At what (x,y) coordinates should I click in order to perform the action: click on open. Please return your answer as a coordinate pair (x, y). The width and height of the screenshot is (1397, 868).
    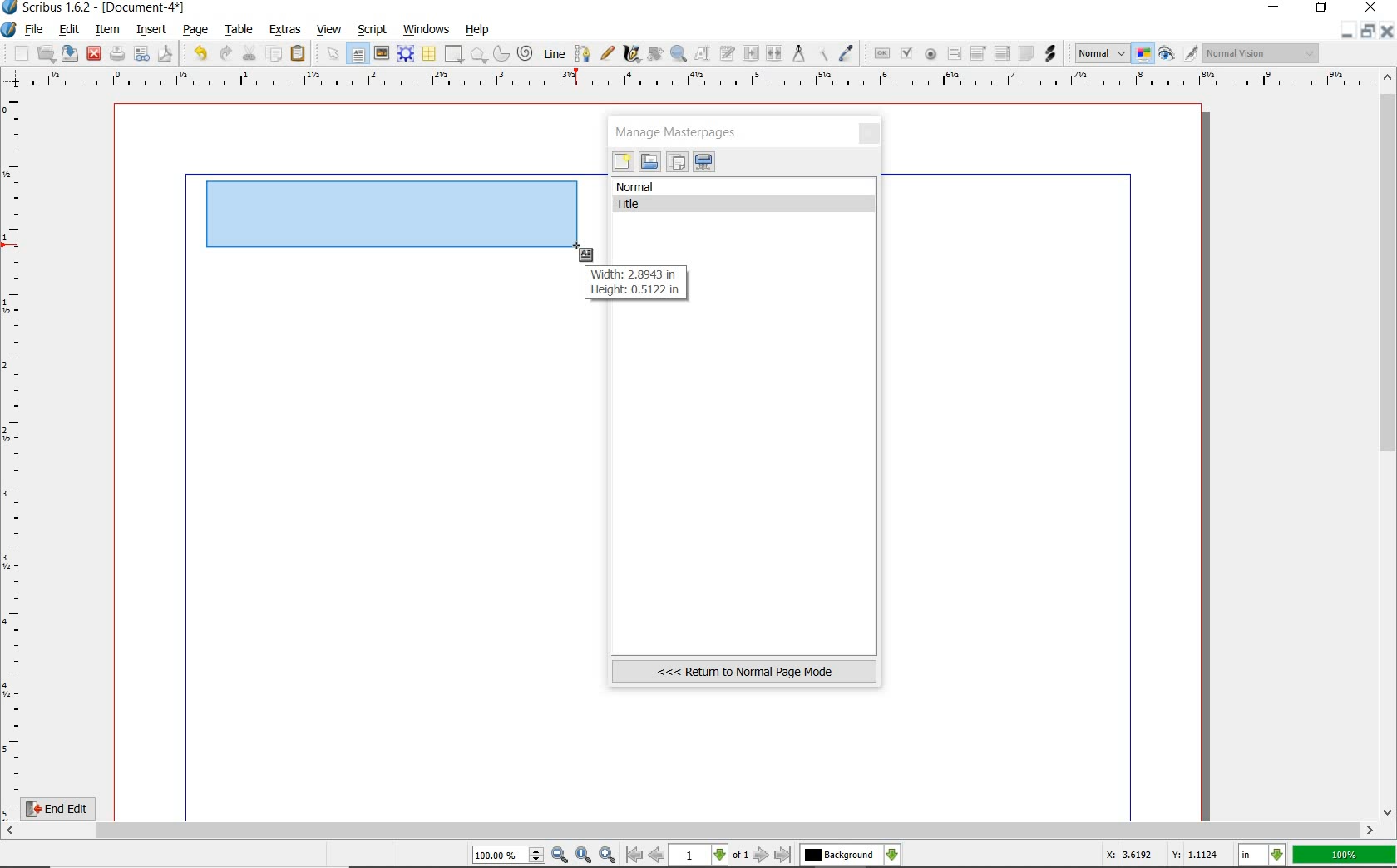
    Looking at the image, I should click on (47, 53).